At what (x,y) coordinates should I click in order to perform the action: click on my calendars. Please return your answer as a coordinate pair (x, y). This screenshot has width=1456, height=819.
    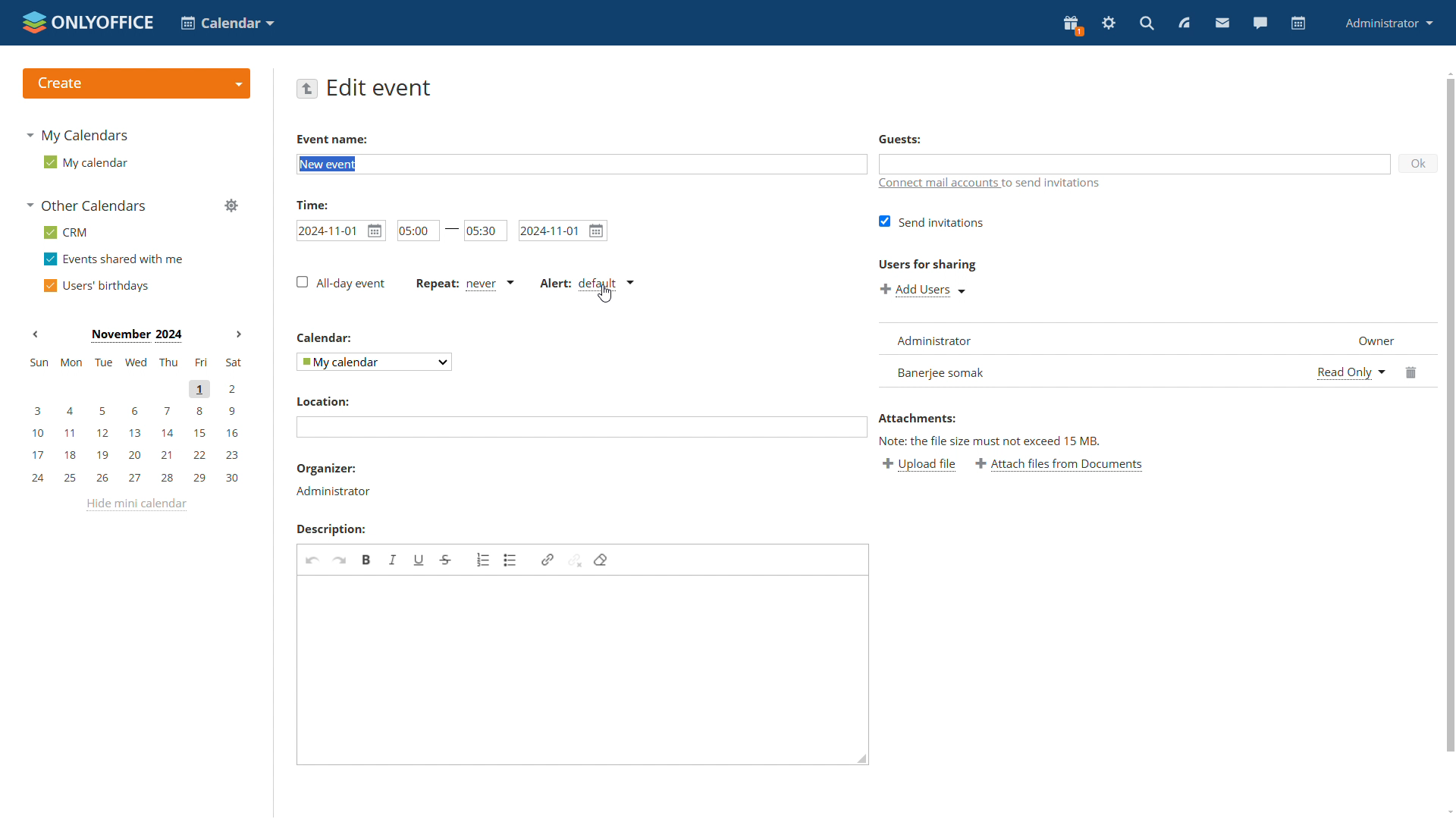
    Looking at the image, I should click on (79, 135).